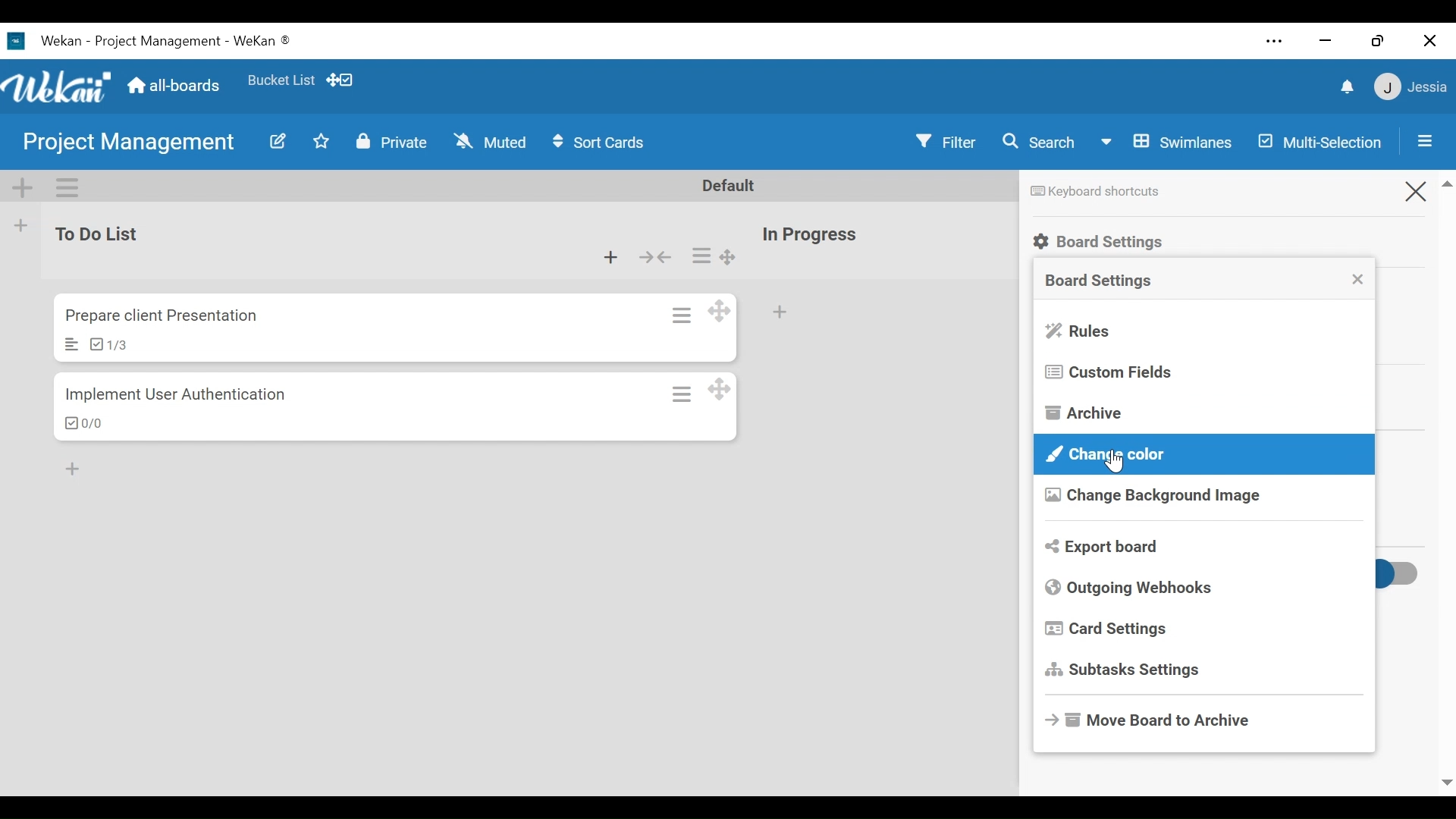  Describe the element at coordinates (1116, 461) in the screenshot. I see `Cursor` at that location.